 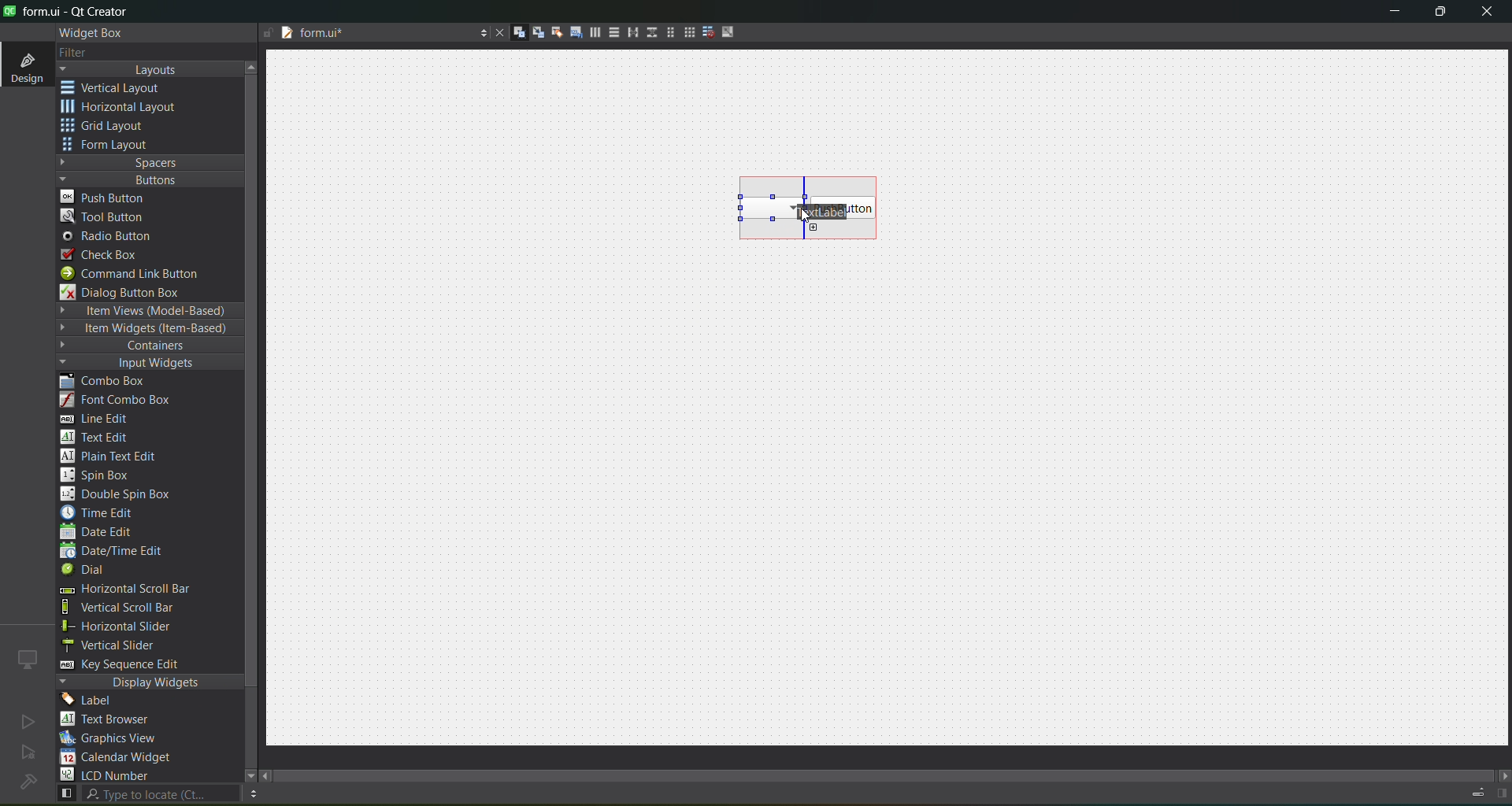 I want to click on spaces, so click(x=150, y=162).